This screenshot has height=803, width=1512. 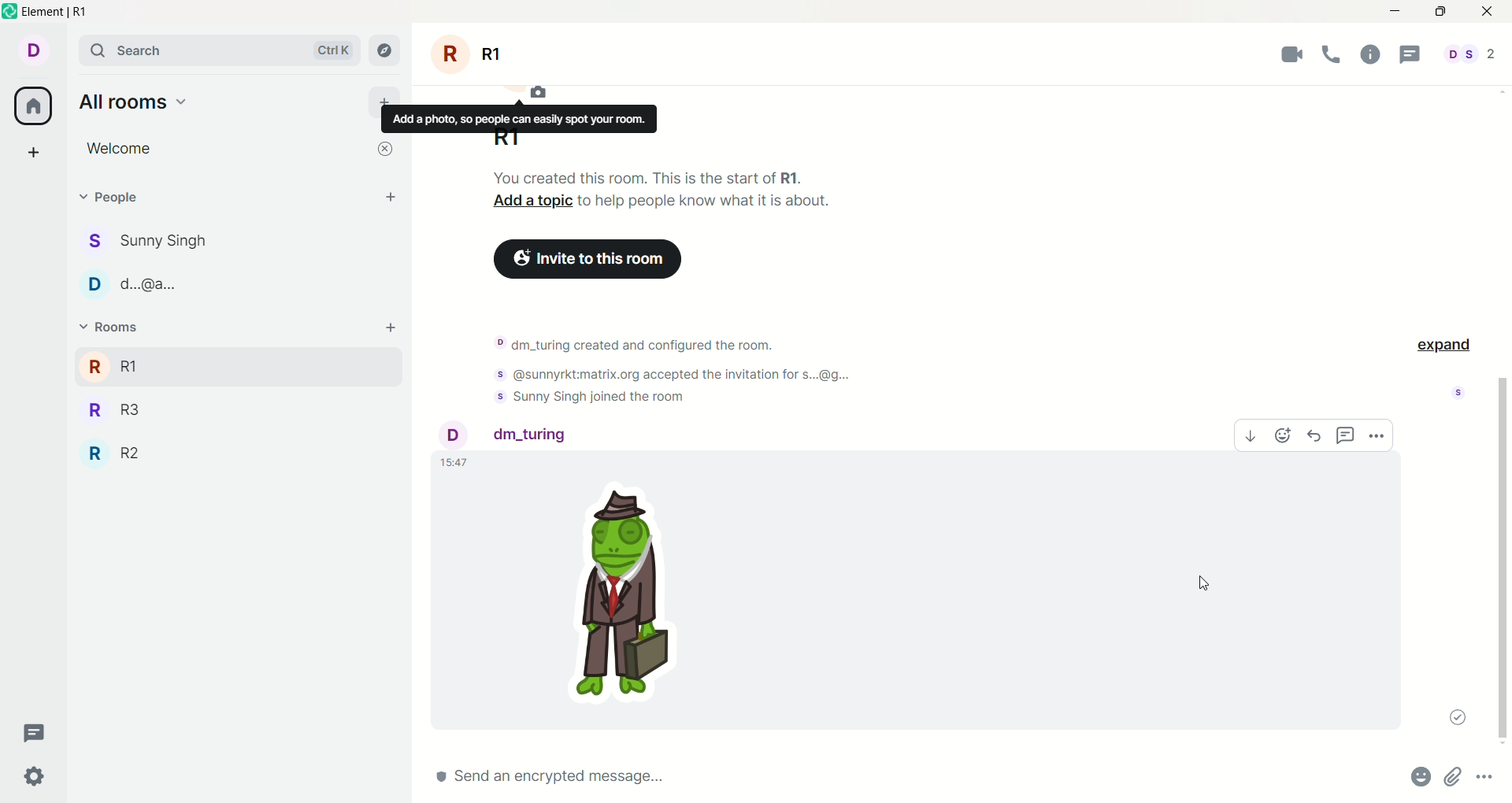 What do you see at coordinates (1291, 54) in the screenshot?
I see `video call` at bounding box center [1291, 54].